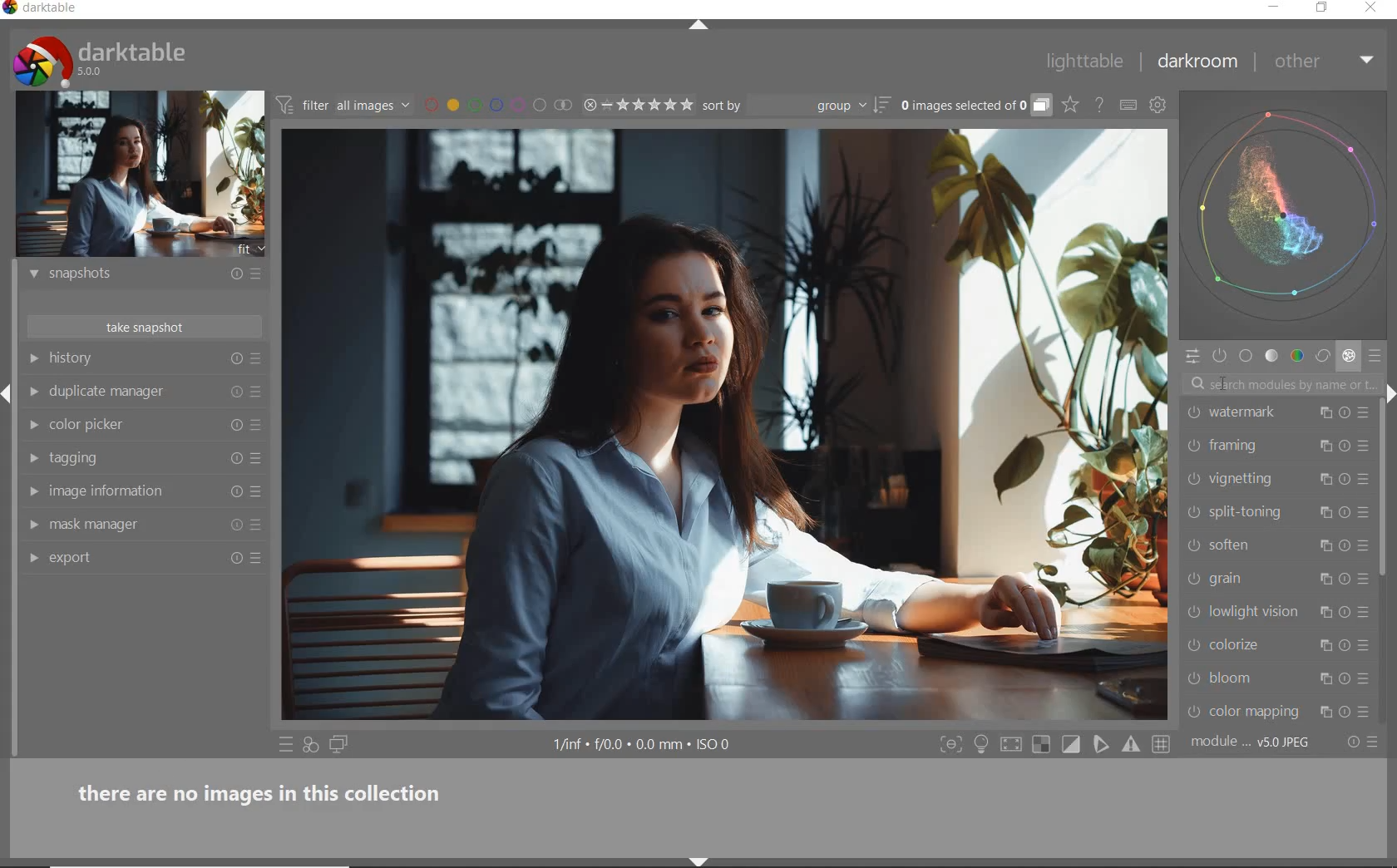  Describe the element at coordinates (497, 105) in the screenshot. I see `filter by images color label` at that location.